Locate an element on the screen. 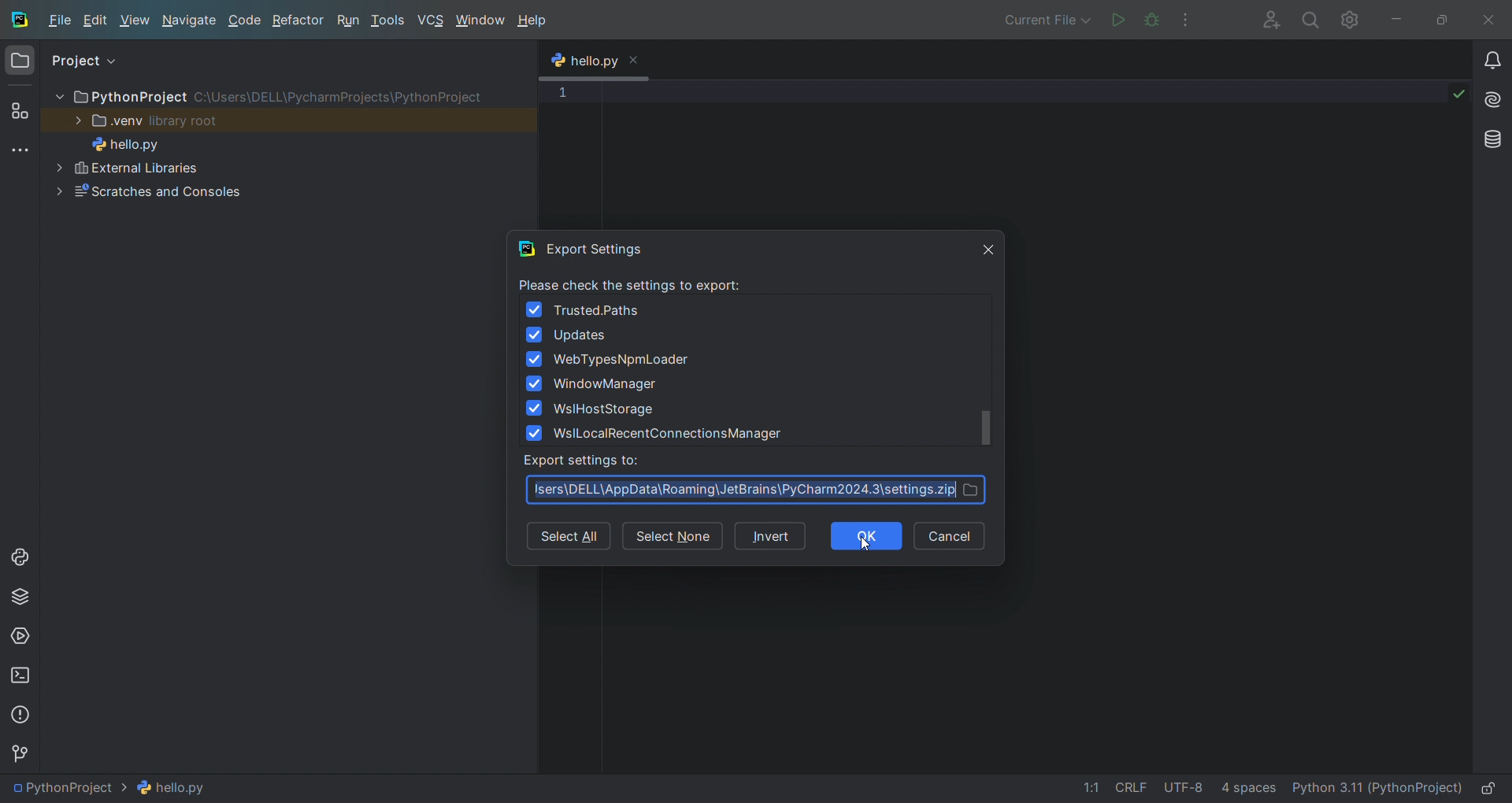 The width and height of the screenshot is (1512, 803). cancel is located at coordinates (949, 533).